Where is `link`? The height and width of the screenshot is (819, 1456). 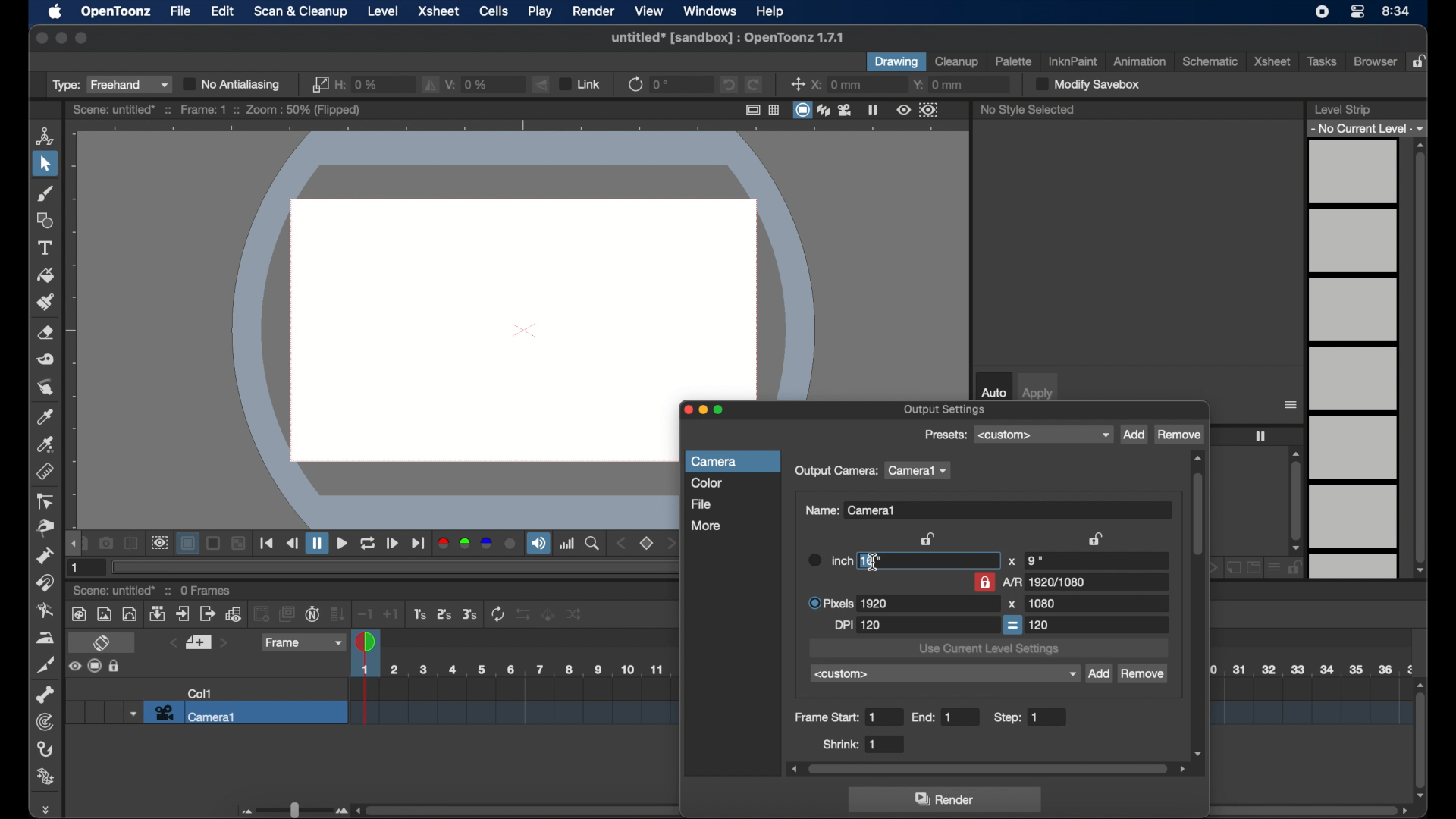
link is located at coordinates (579, 83).